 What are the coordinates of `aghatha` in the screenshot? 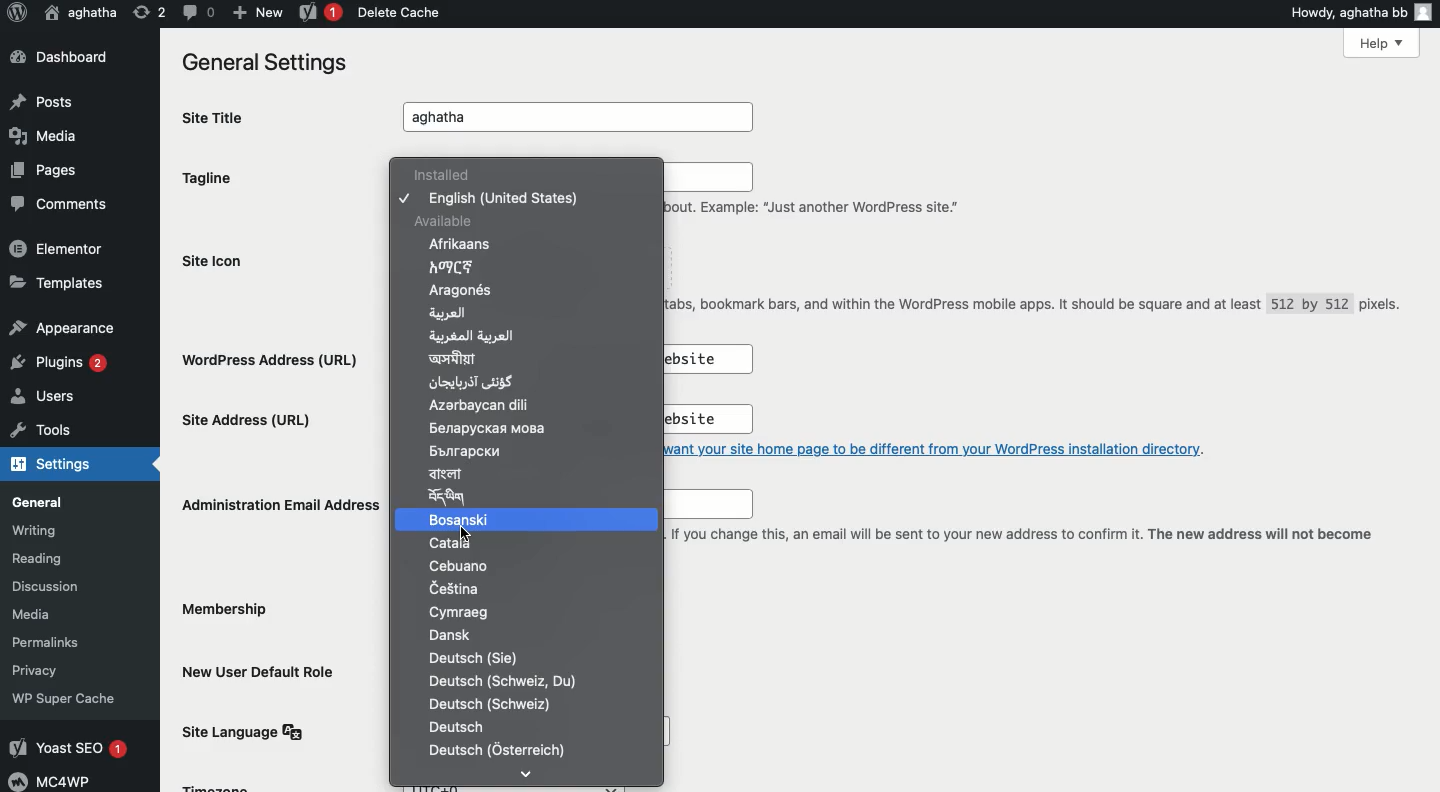 It's located at (584, 118).